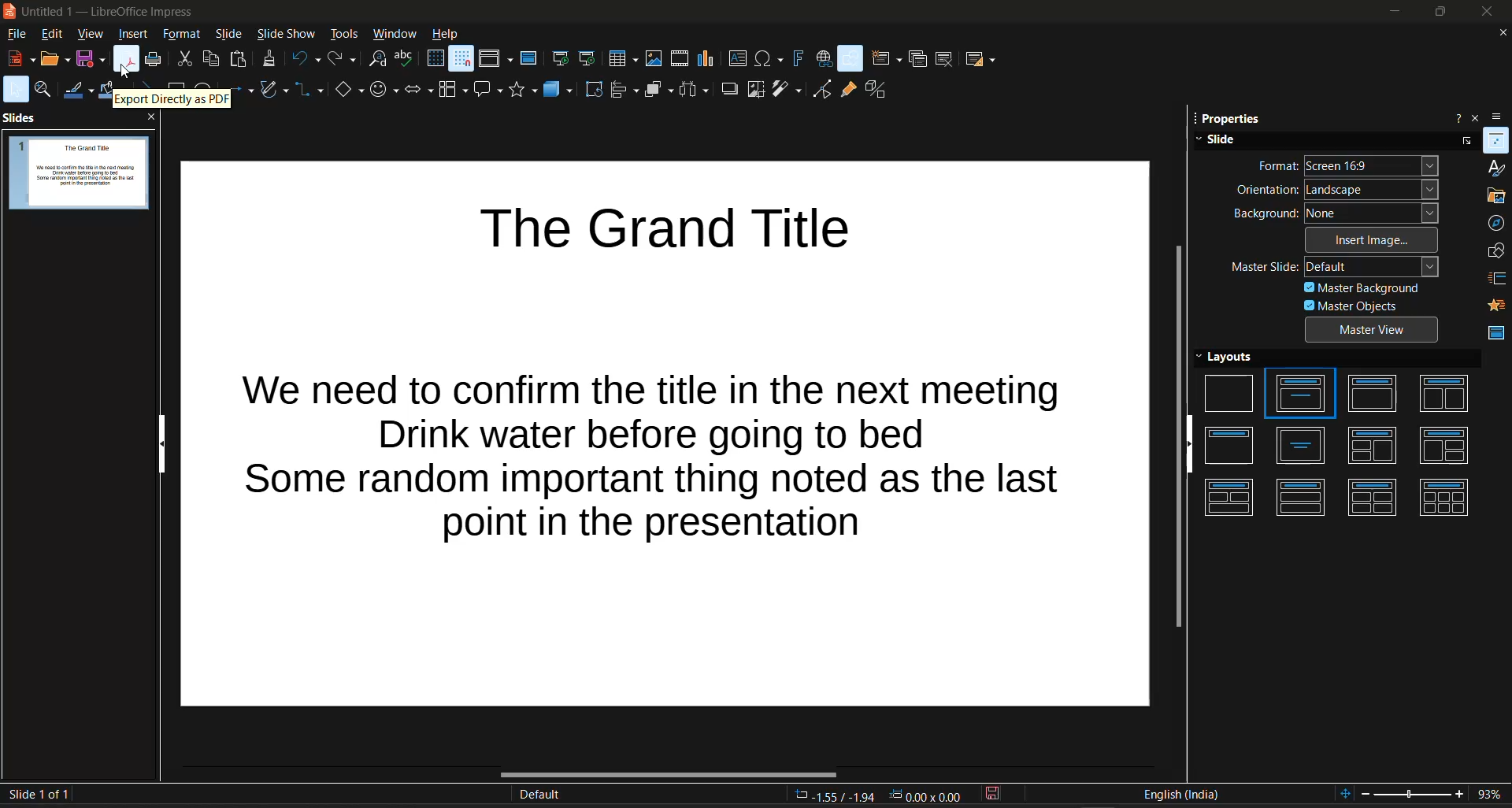 This screenshot has width=1512, height=808. I want to click on undo, so click(306, 59).